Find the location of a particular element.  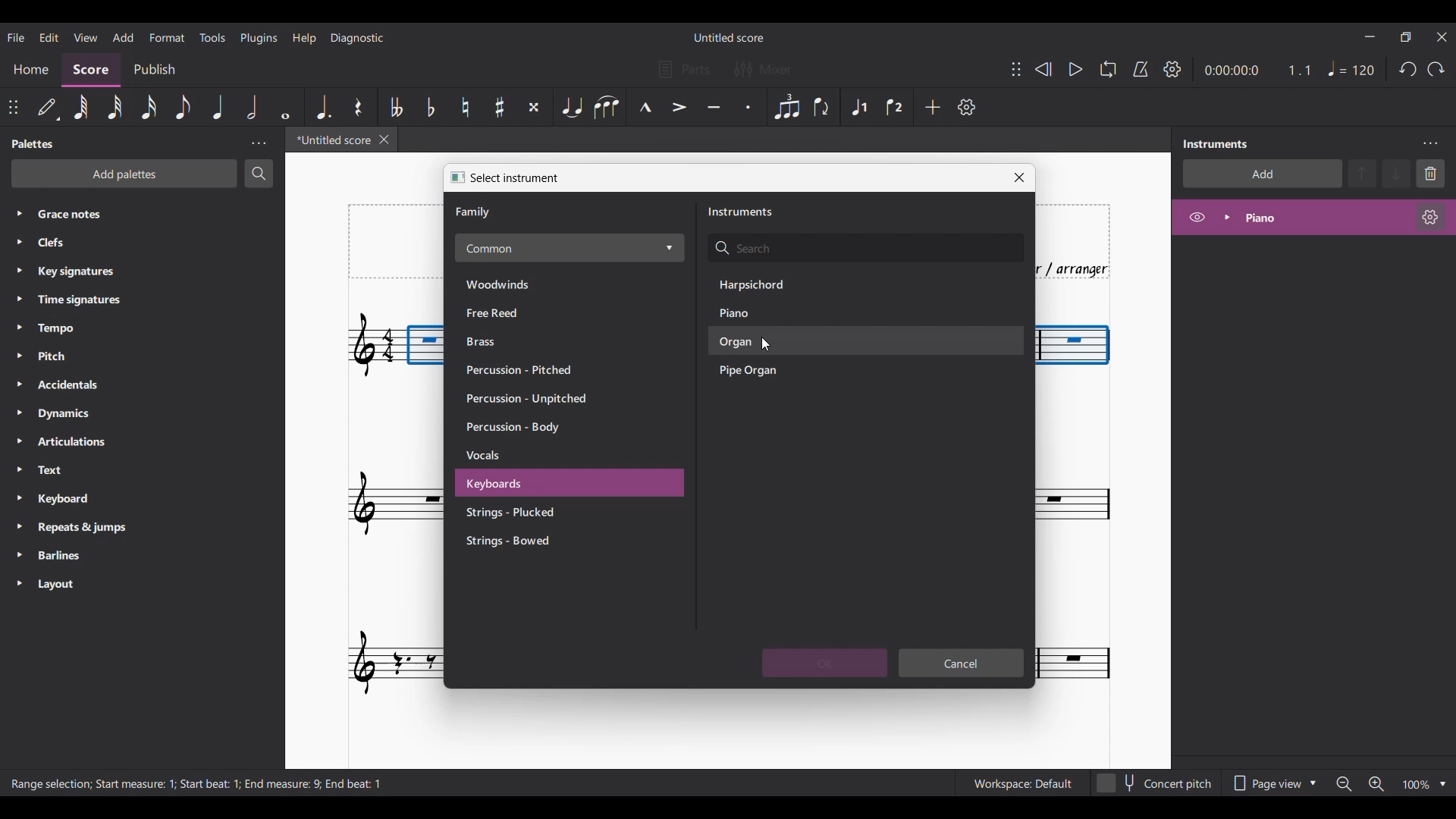

ok is located at coordinates (825, 663).